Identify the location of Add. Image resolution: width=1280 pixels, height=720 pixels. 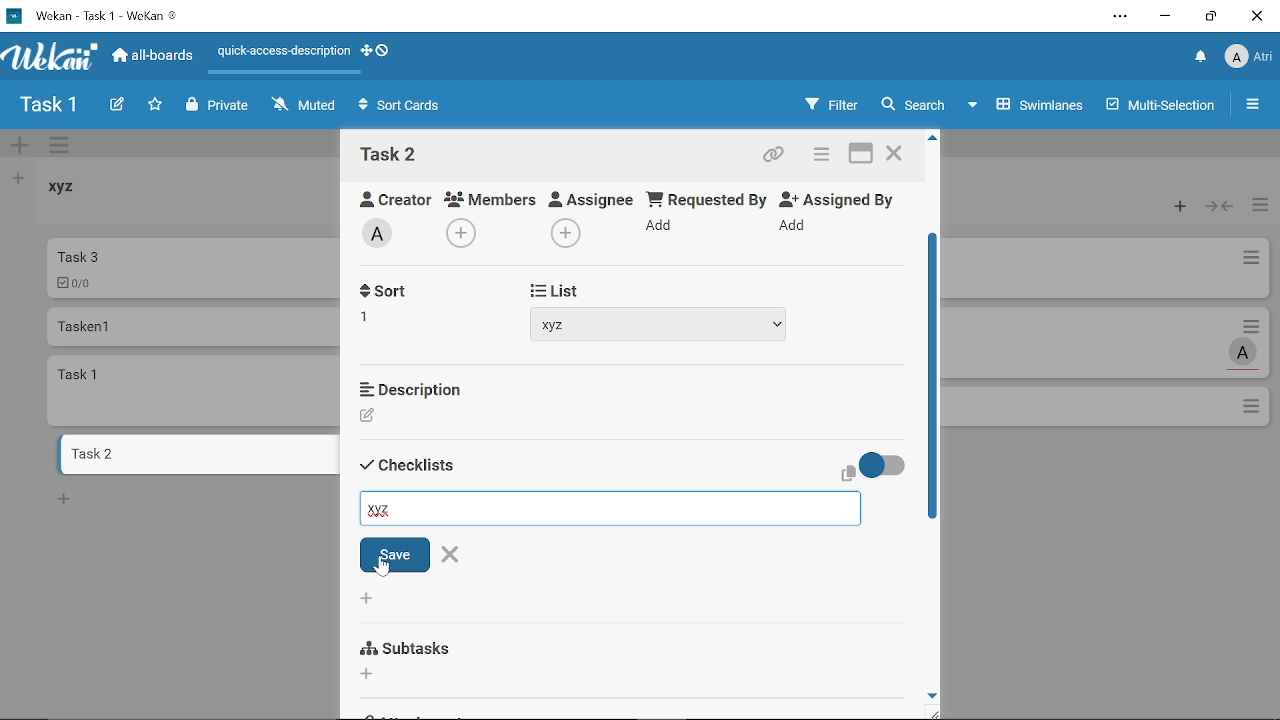
(796, 226).